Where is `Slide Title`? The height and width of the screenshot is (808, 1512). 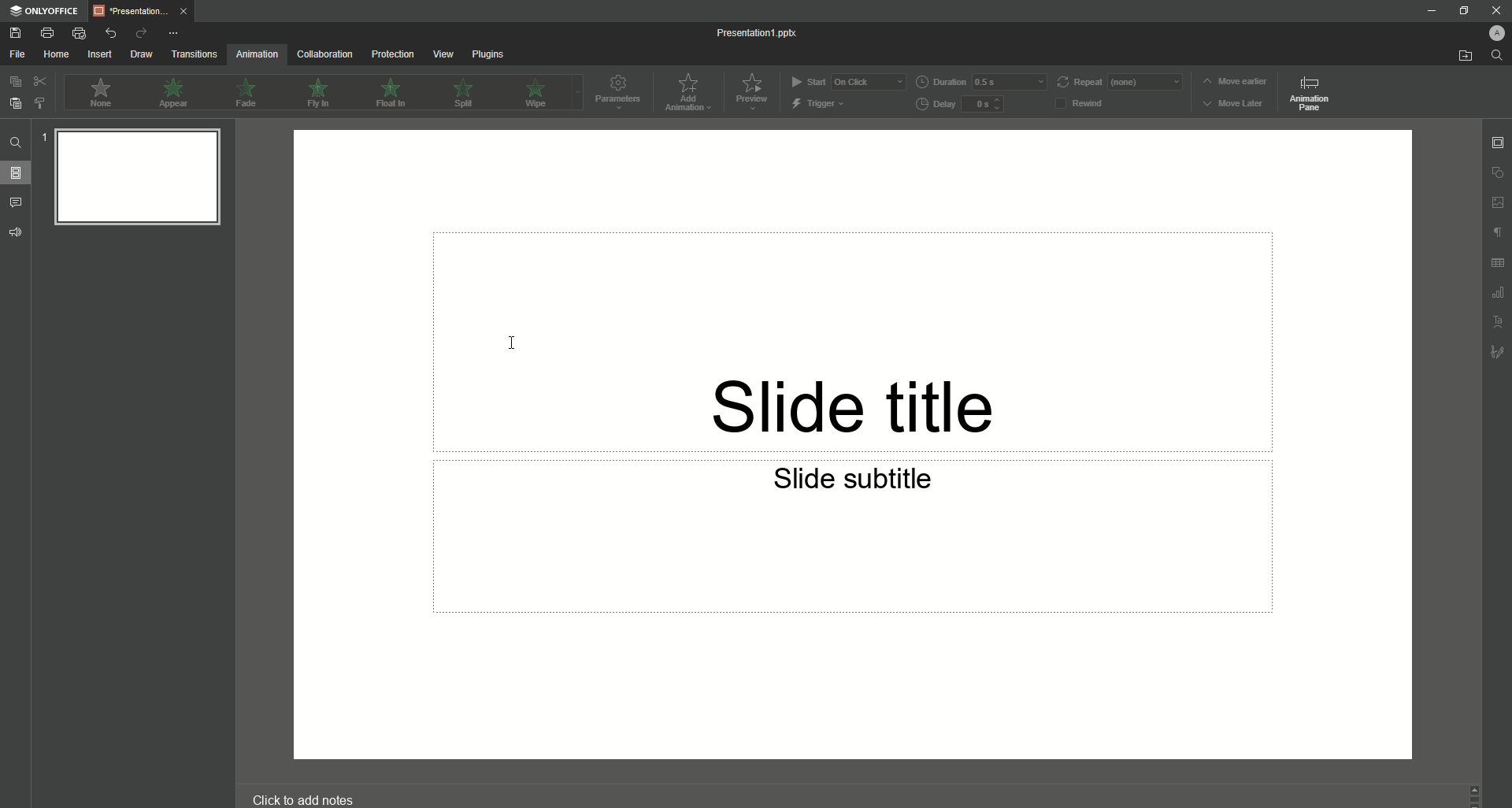 Slide Title is located at coordinates (864, 387).